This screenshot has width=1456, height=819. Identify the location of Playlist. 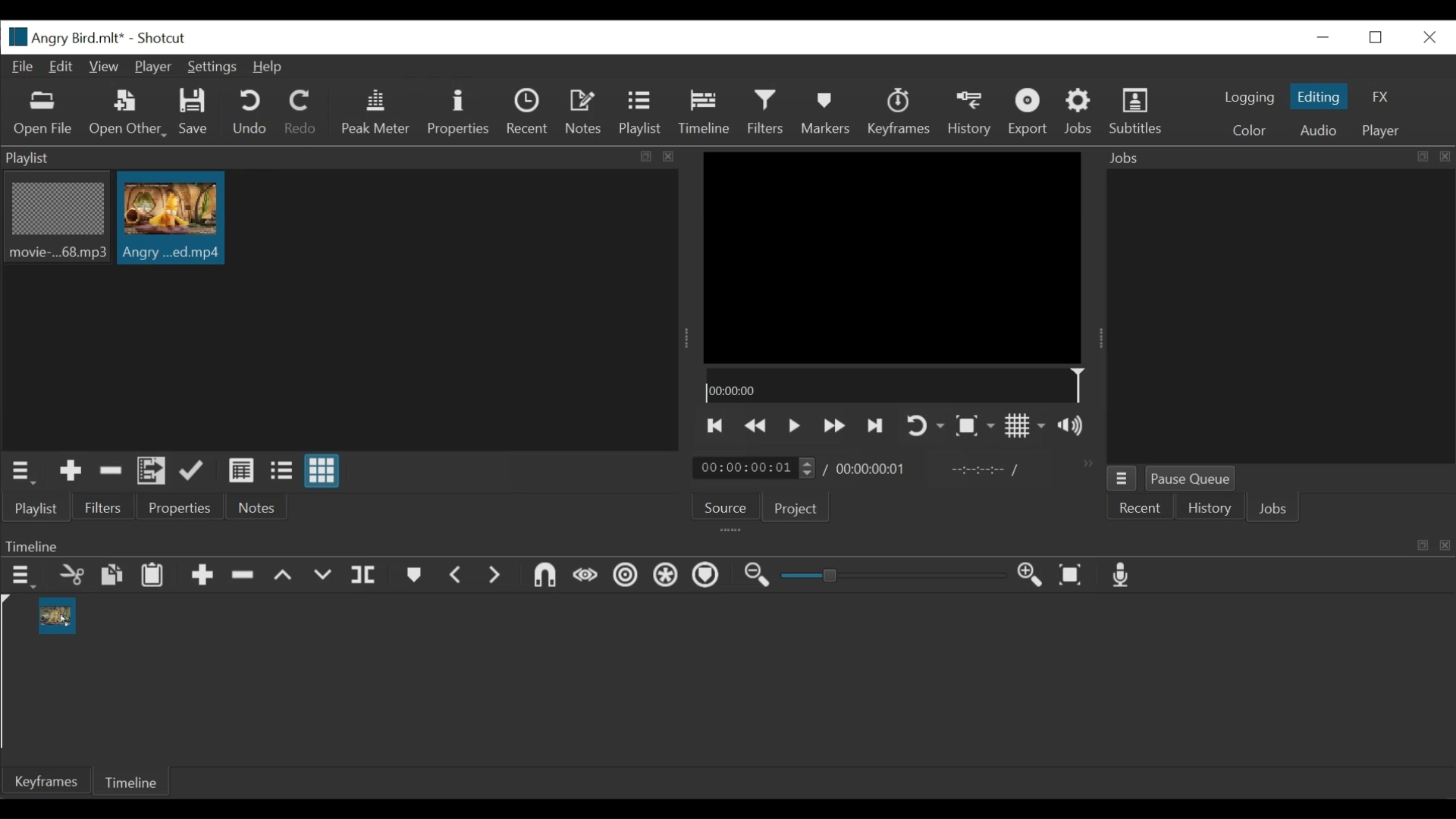
(642, 114).